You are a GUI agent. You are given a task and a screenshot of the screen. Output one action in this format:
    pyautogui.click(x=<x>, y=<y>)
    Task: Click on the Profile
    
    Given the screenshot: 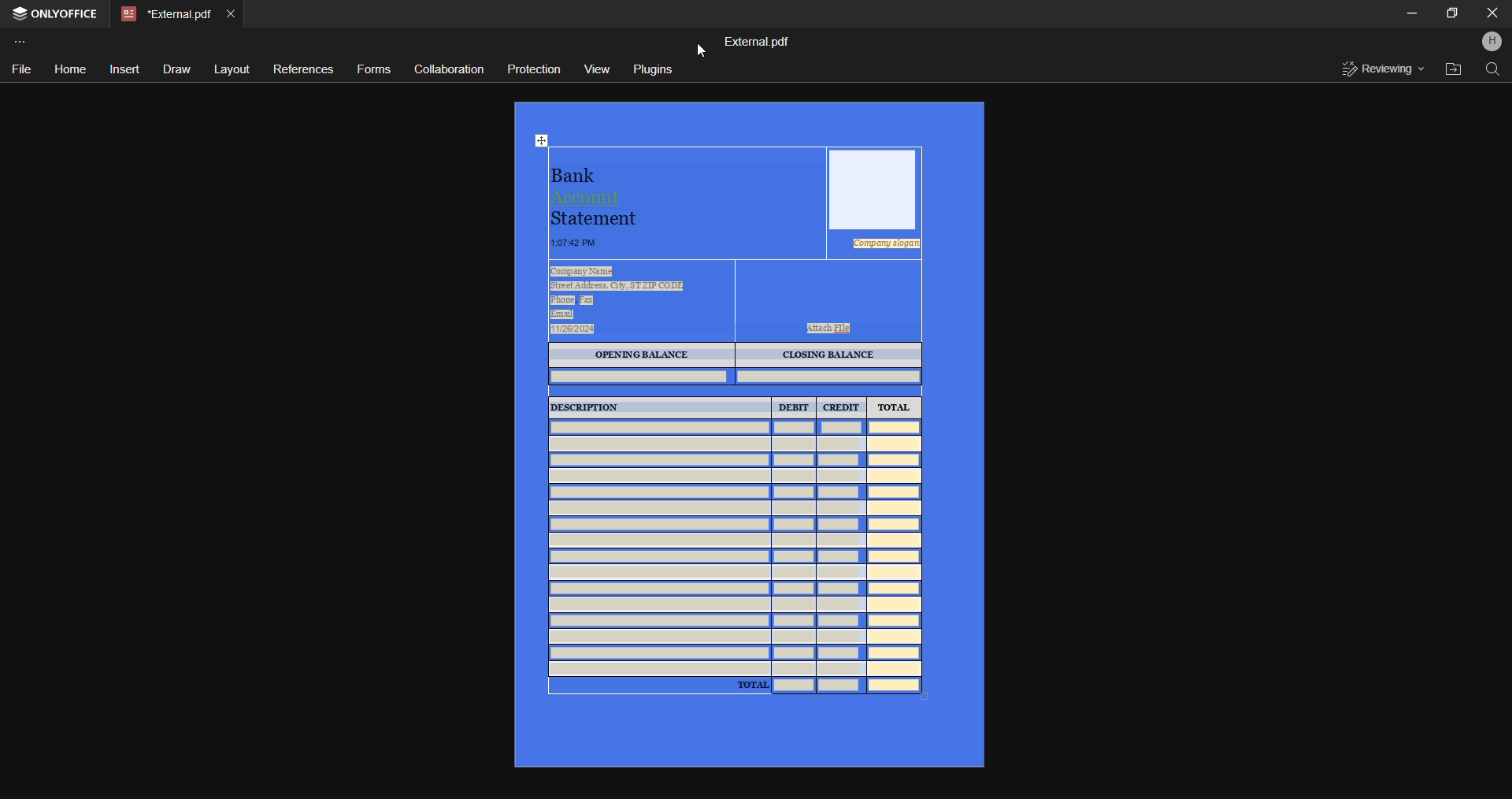 What is the action you would take?
    pyautogui.click(x=1493, y=40)
    